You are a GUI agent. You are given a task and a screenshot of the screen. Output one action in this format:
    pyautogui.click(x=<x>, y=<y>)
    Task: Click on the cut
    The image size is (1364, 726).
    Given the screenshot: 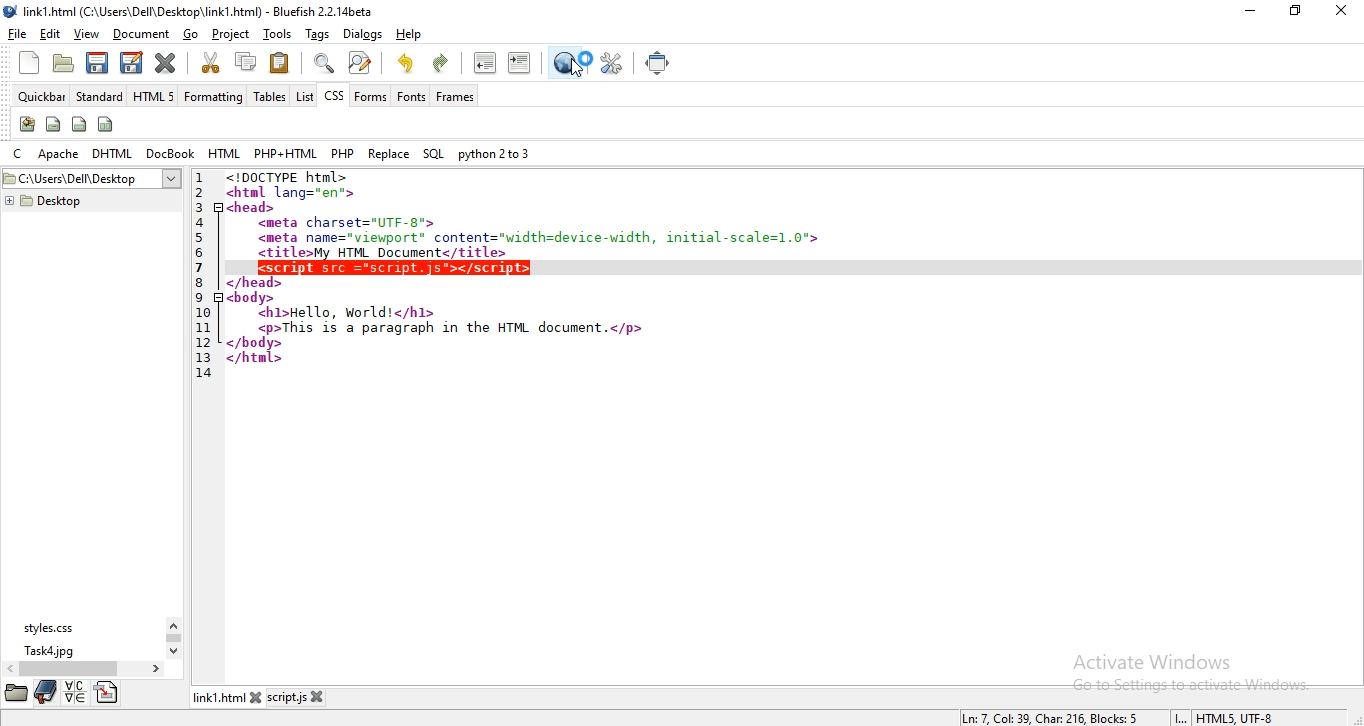 What is the action you would take?
    pyautogui.click(x=210, y=61)
    